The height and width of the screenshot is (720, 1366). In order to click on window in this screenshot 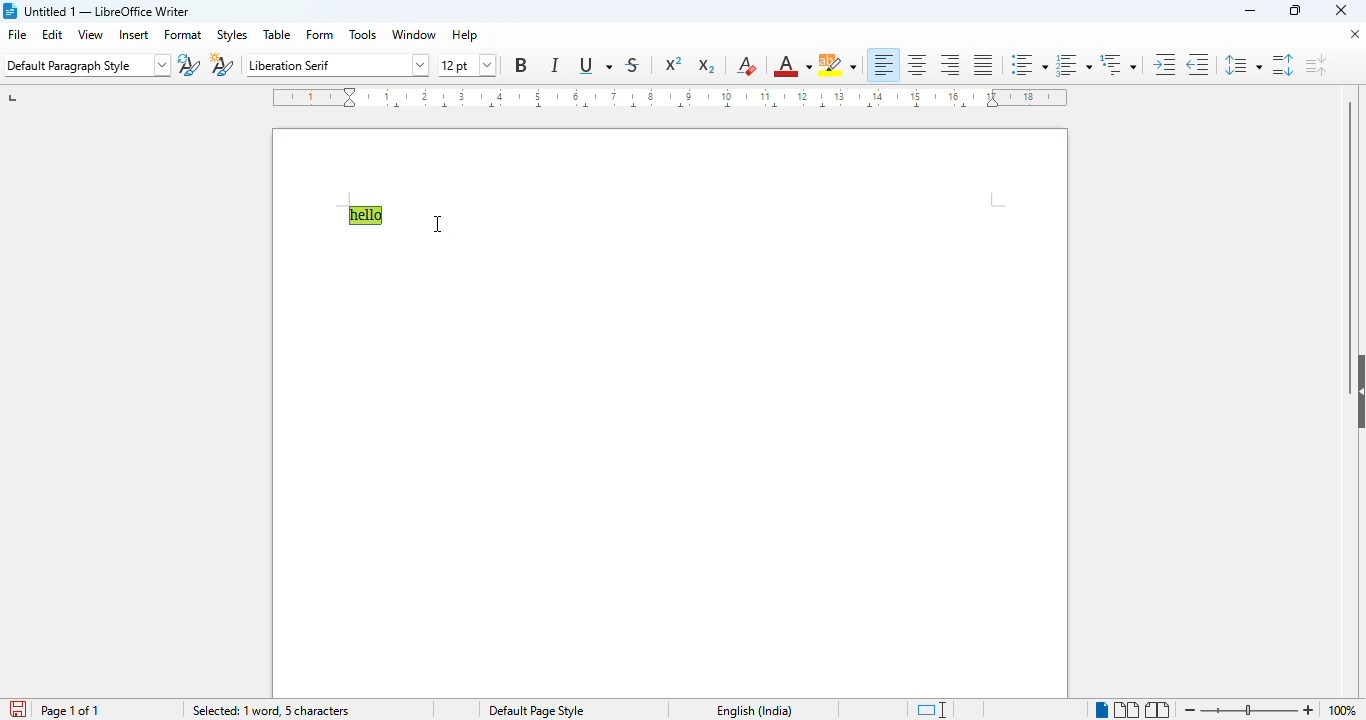, I will do `click(414, 35)`.